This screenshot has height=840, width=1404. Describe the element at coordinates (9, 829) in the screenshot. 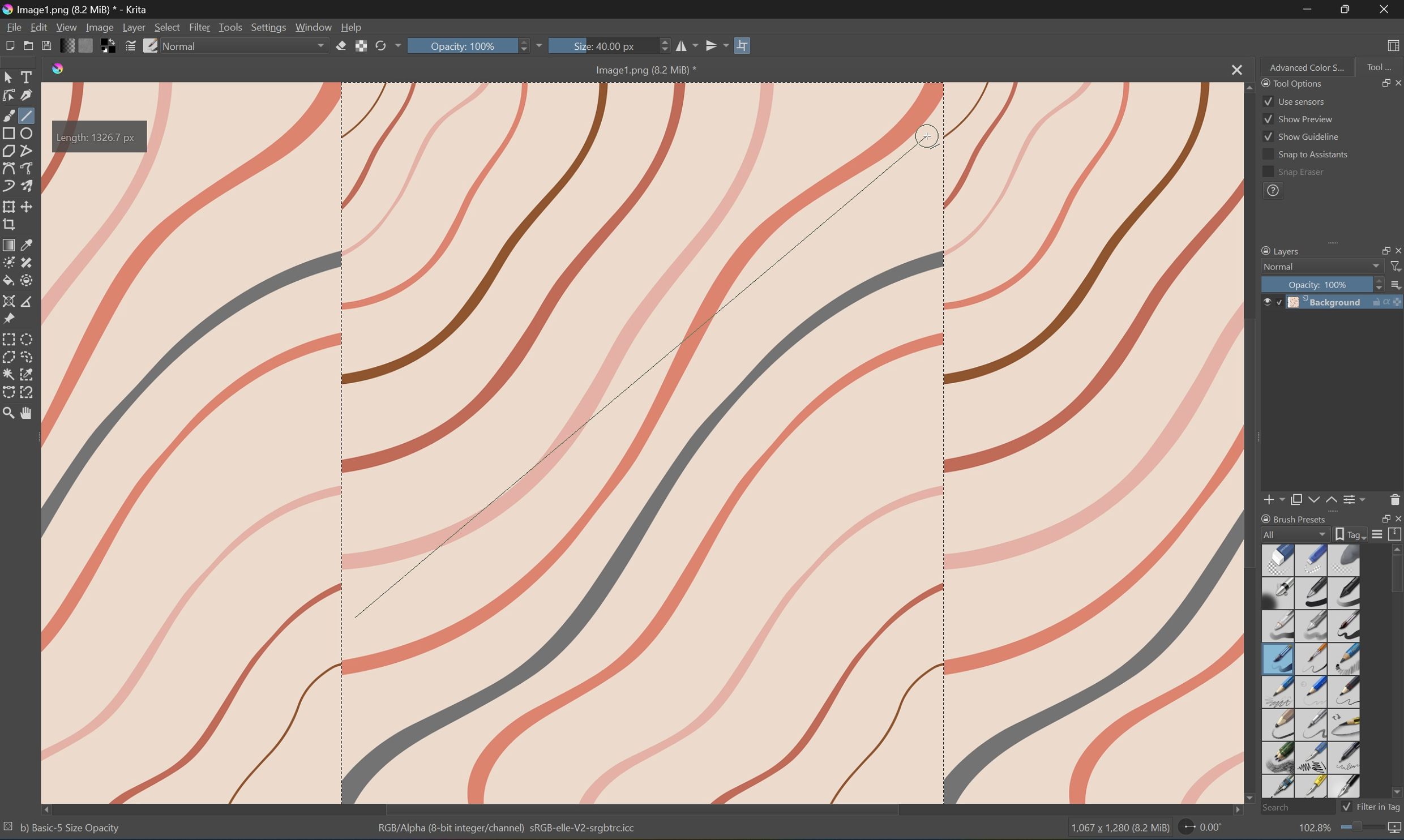

I see `No selection` at that location.